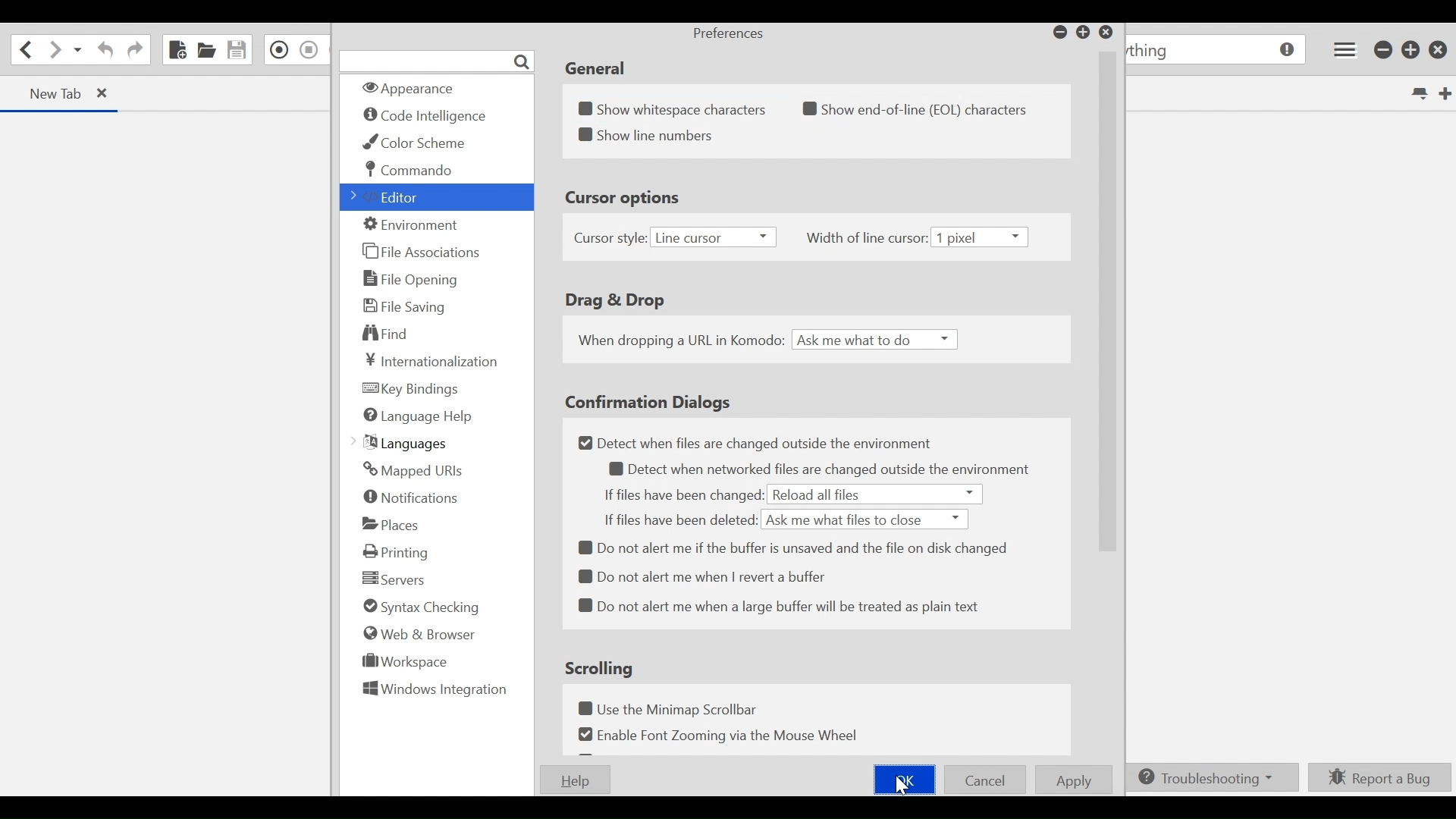 The width and height of the screenshot is (1456, 819). What do you see at coordinates (757, 444) in the screenshot?
I see `Detect when files are changed outside the environment` at bounding box center [757, 444].